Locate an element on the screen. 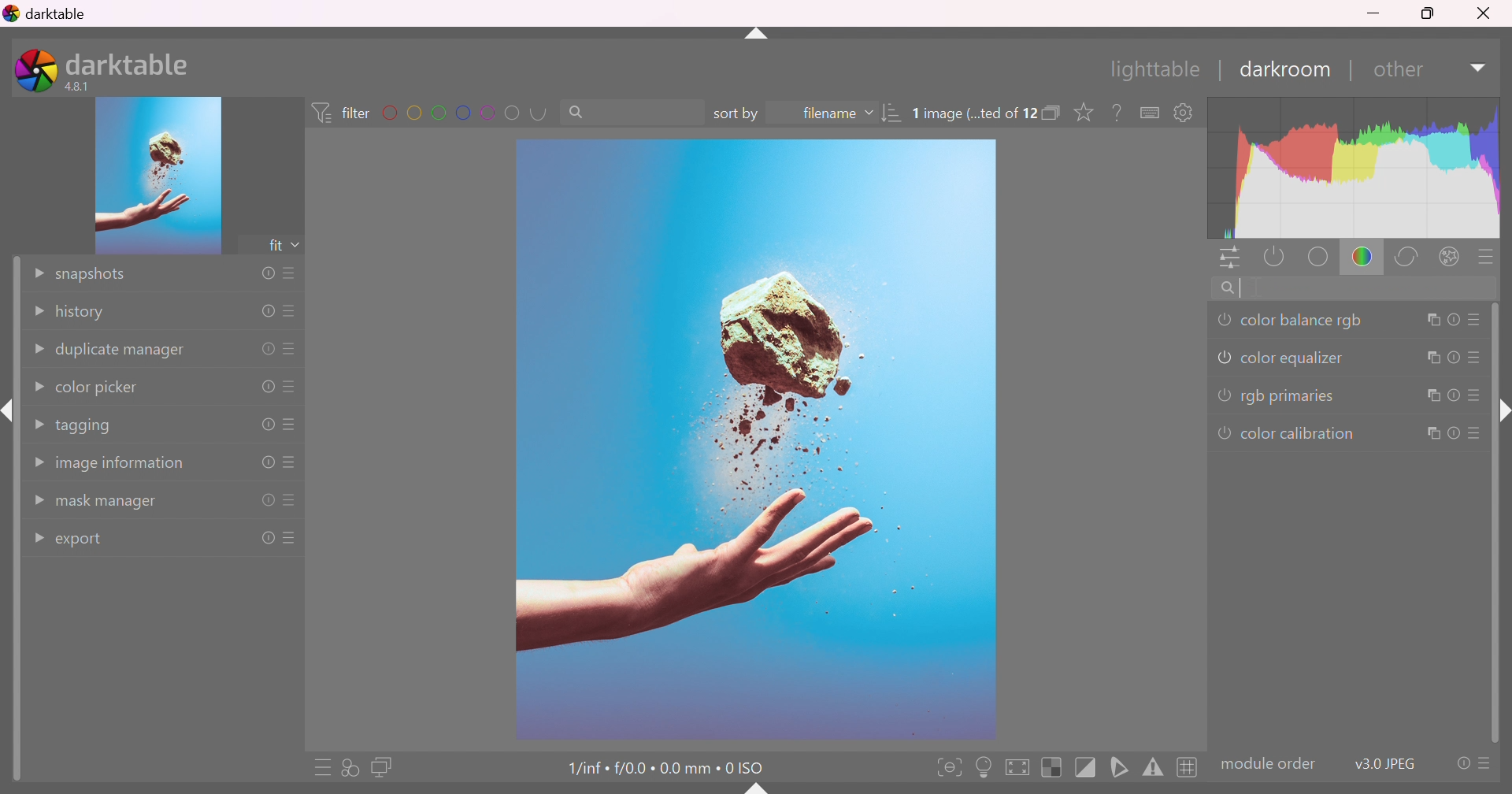  rgb primaries is located at coordinates (1291, 396).